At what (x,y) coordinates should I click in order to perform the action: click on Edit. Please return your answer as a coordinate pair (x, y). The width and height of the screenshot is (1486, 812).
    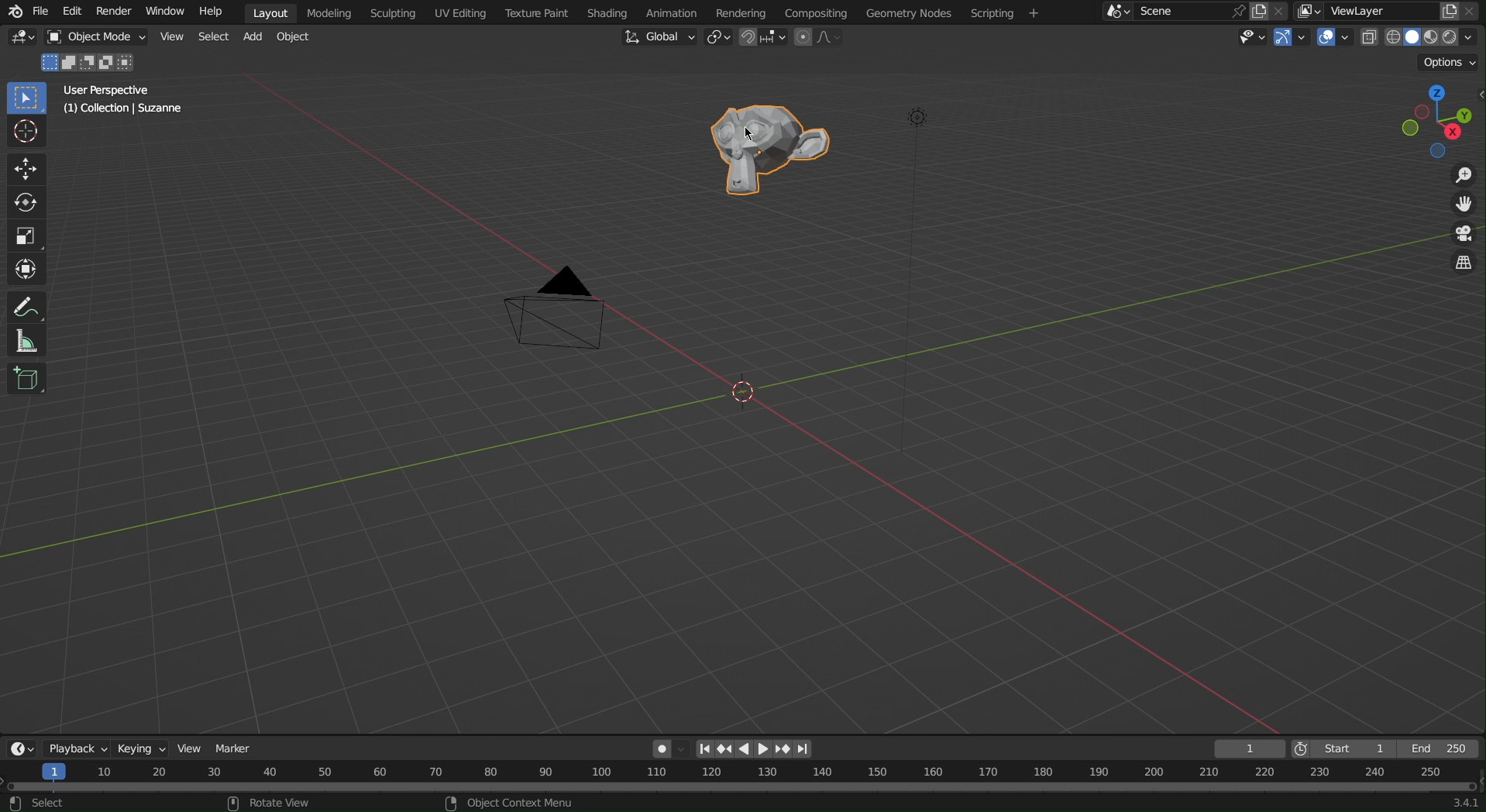
    Looking at the image, I should click on (76, 14).